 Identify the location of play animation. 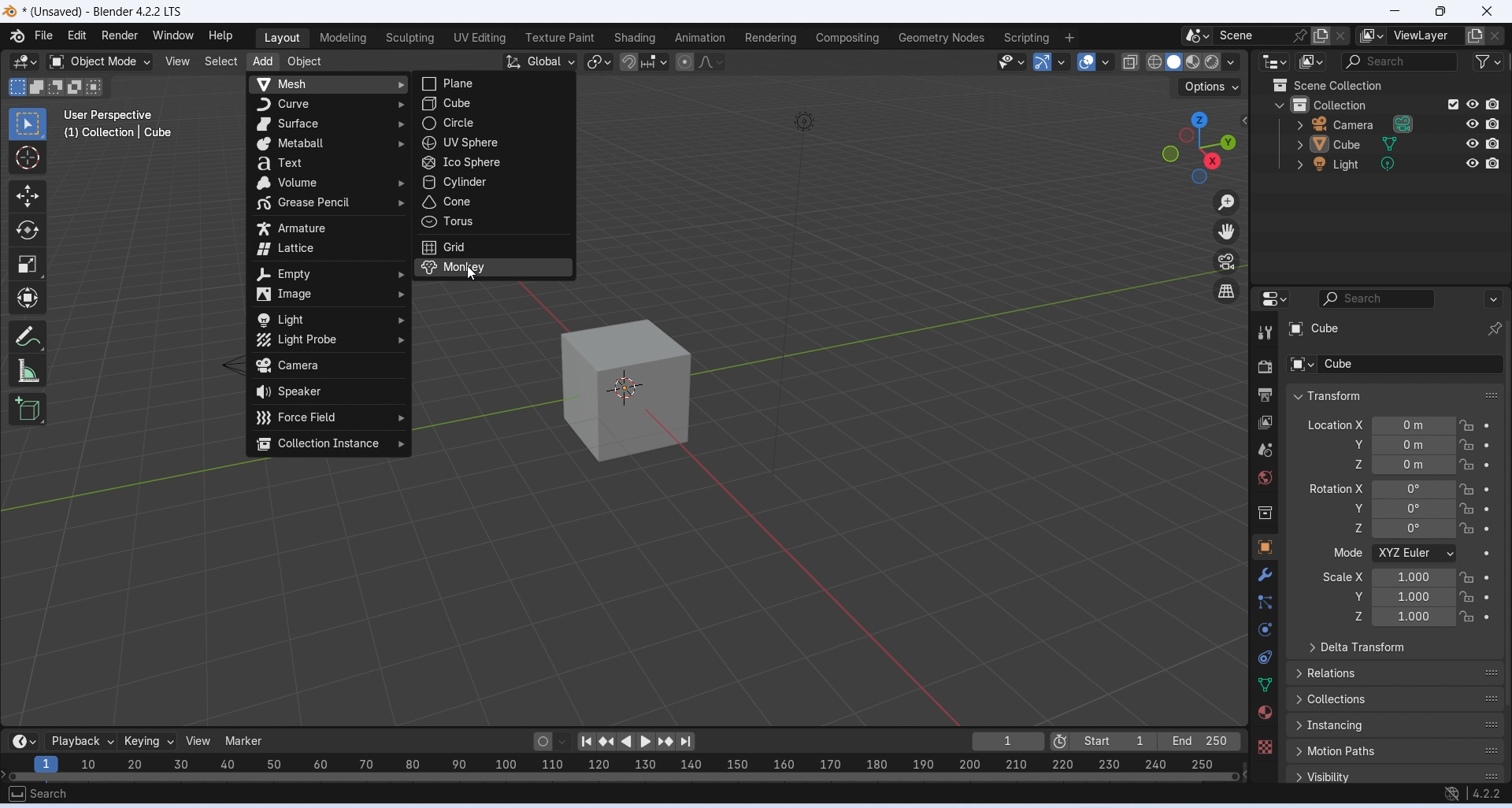
(648, 742).